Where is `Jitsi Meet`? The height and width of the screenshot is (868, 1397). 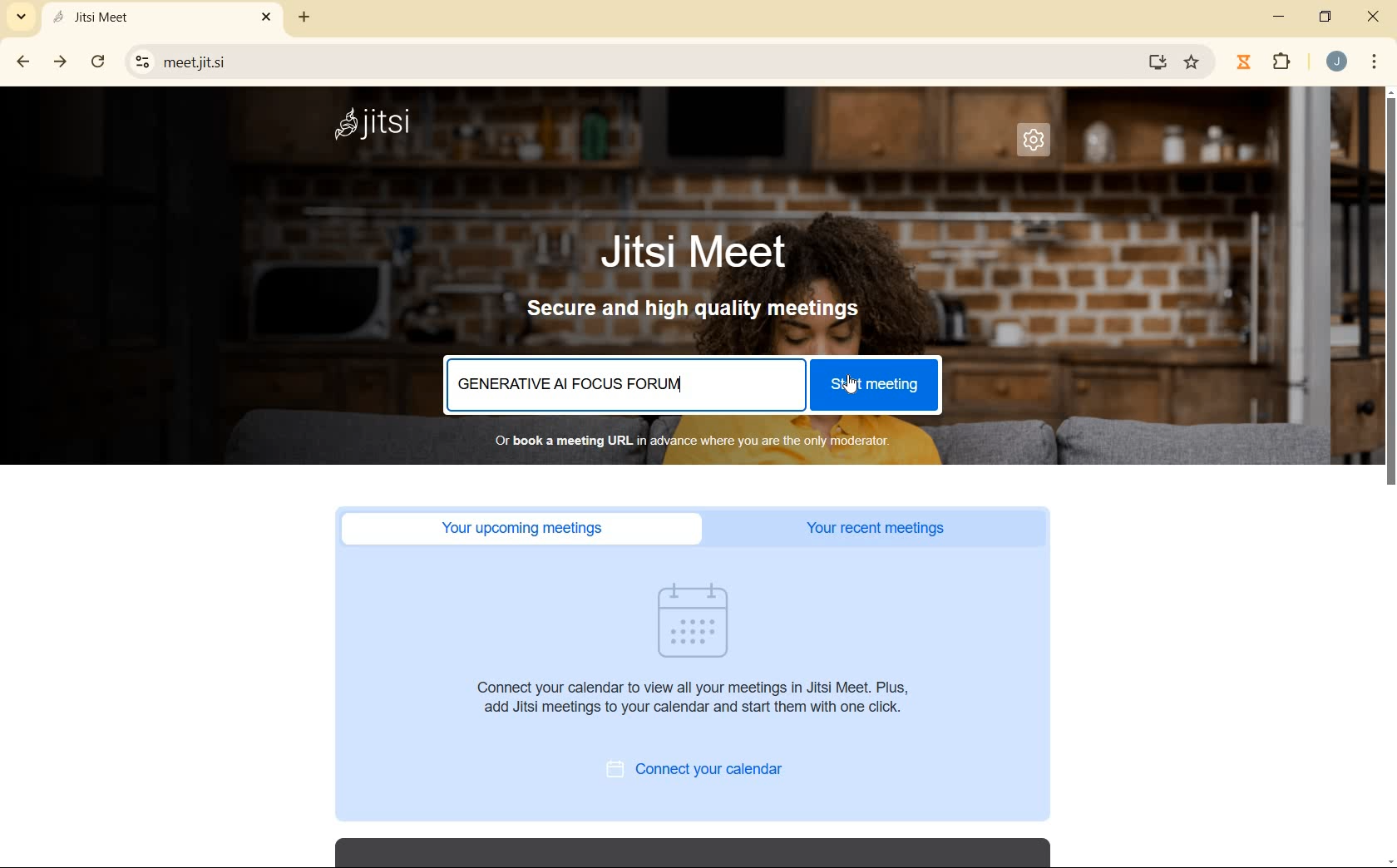
Jitsi Meet is located at coordinates (160, 18).